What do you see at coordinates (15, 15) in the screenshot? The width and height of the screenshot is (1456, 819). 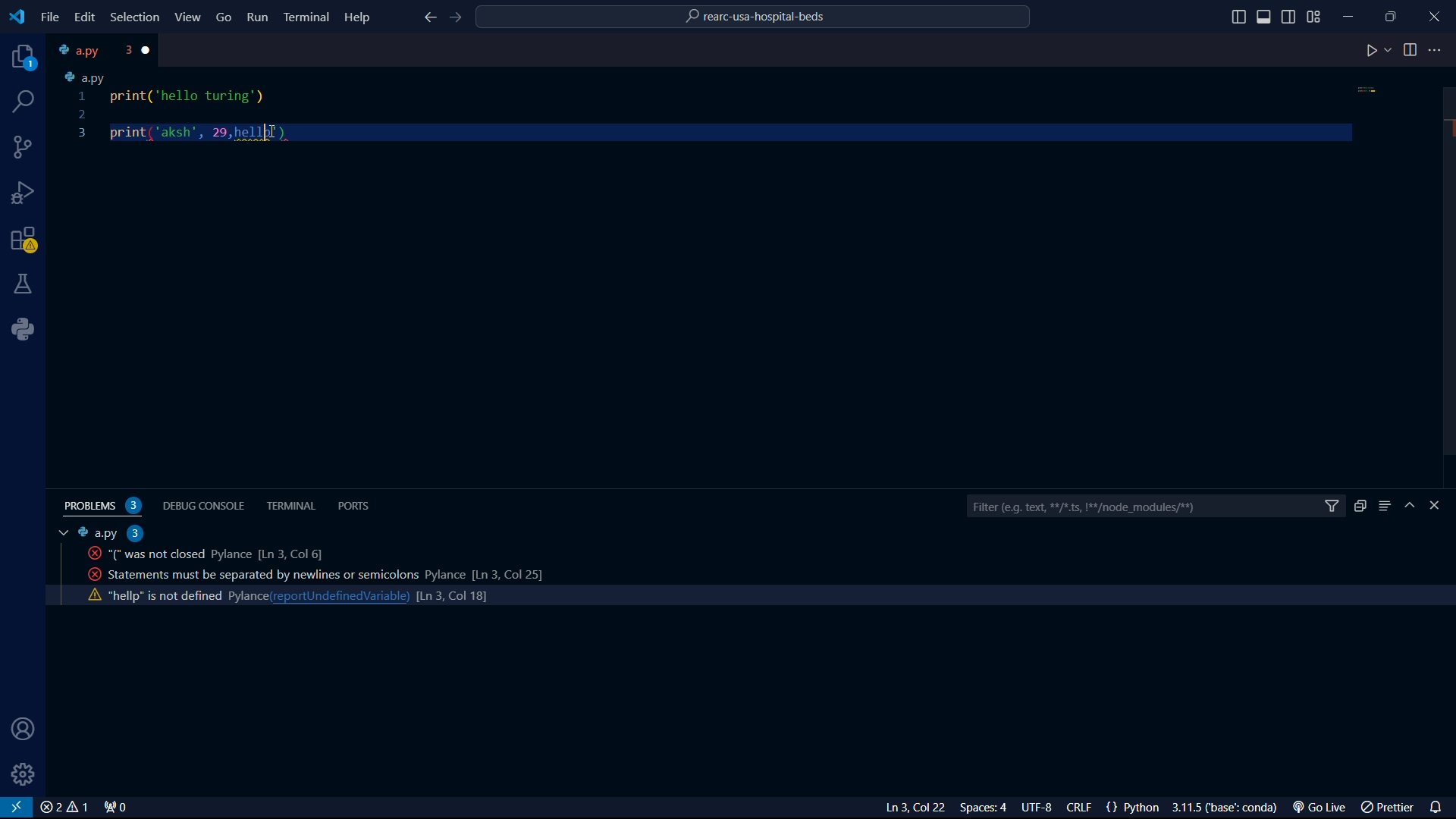 I see `VS Code logo` at bounding box center [15, 15].